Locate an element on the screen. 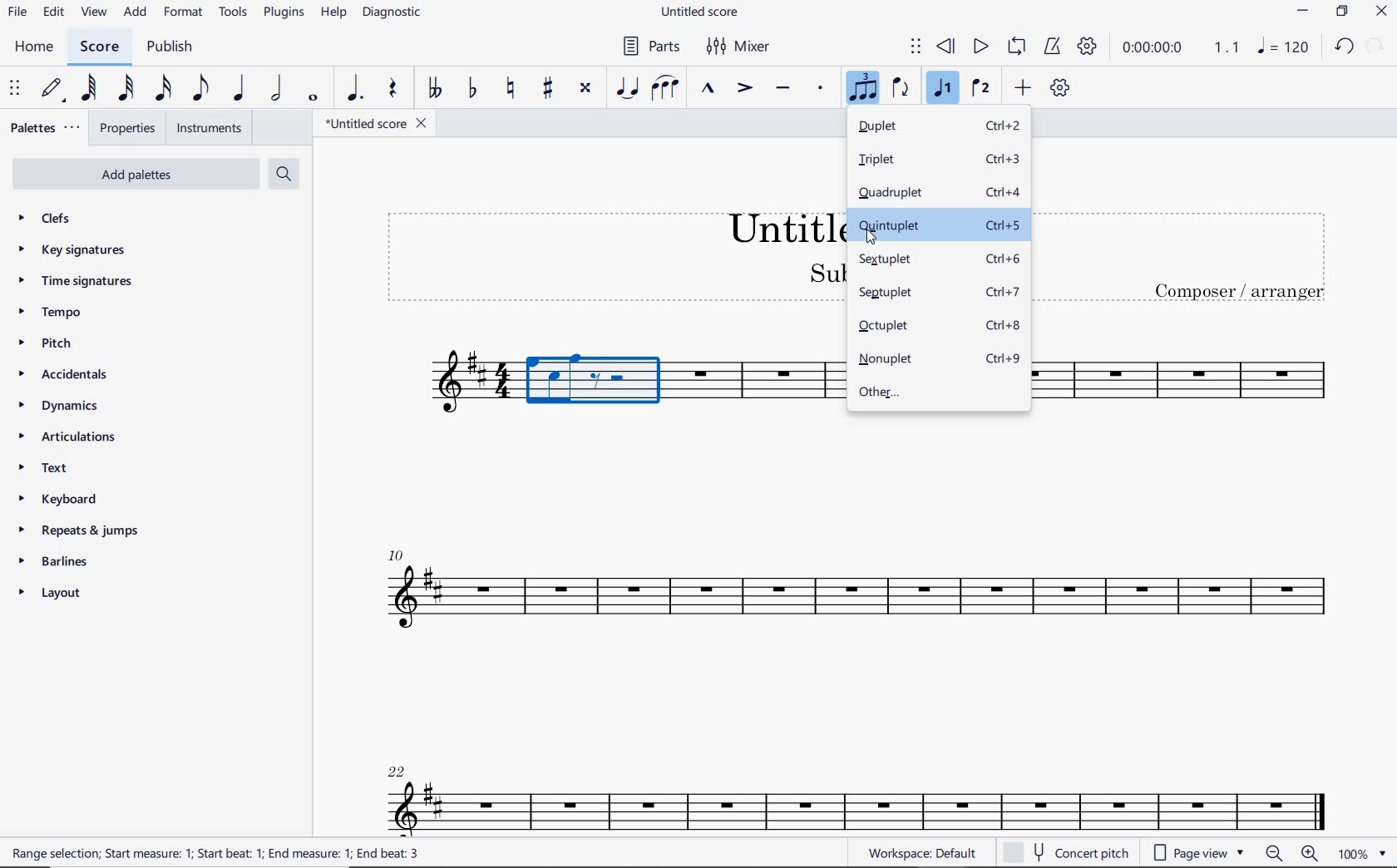  quintuplet is located at coordinates (938, 225).